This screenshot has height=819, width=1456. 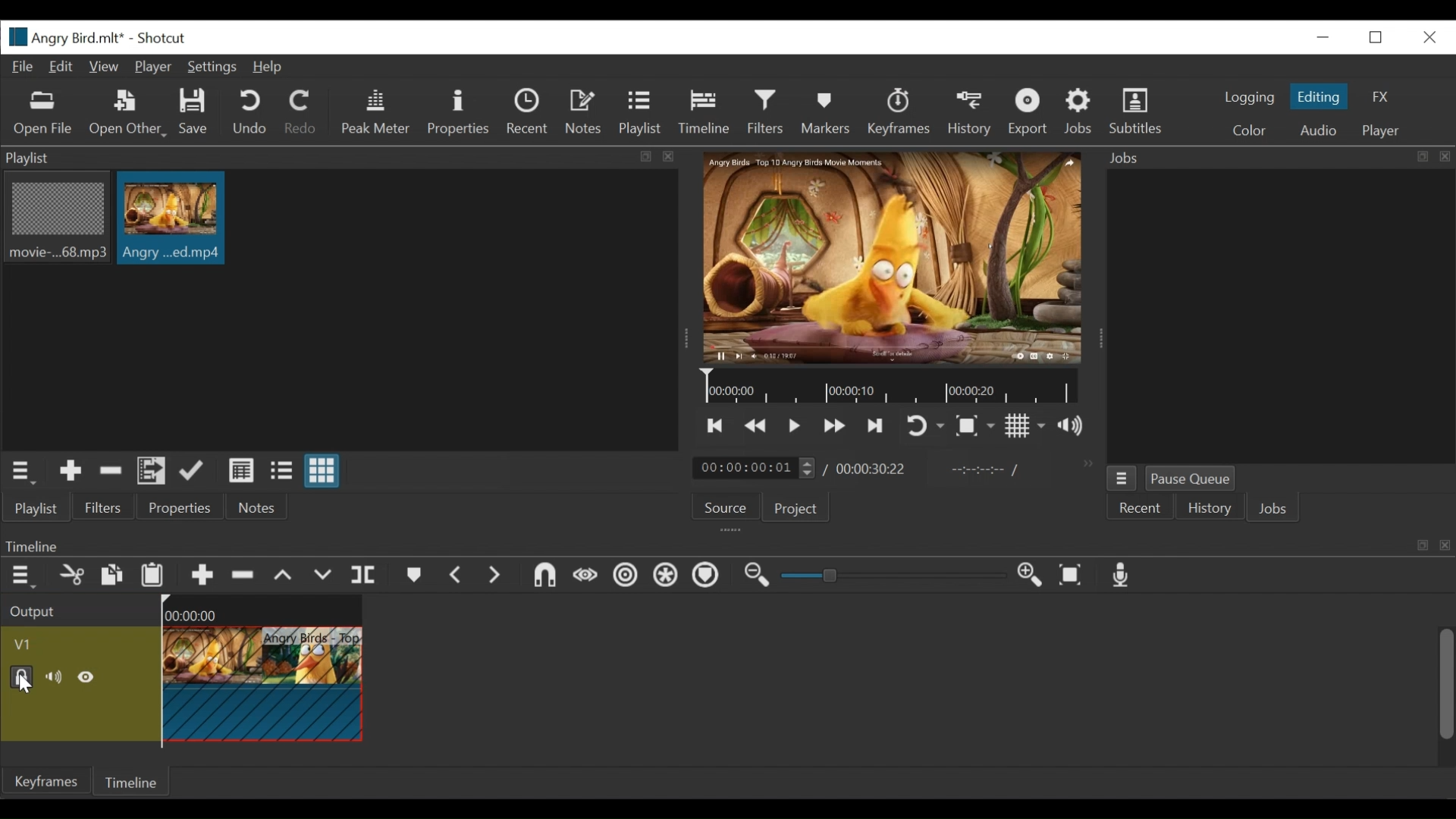 I want to click on Zoom timeline to fit, so click(x=1073, y=576).